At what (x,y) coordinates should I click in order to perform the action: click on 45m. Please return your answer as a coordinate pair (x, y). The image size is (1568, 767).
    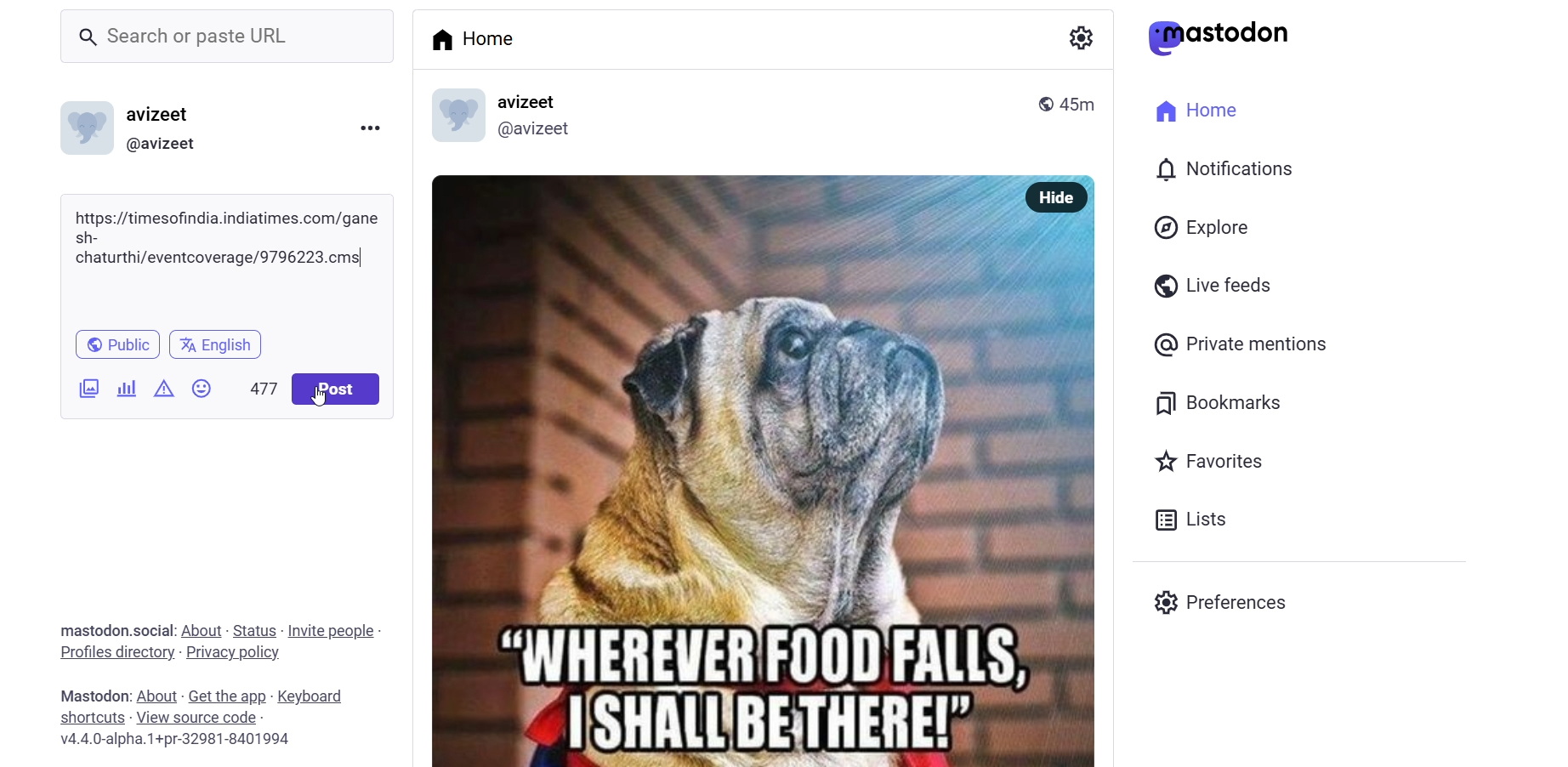
    Looking at the image, I should click on (1071, 107).